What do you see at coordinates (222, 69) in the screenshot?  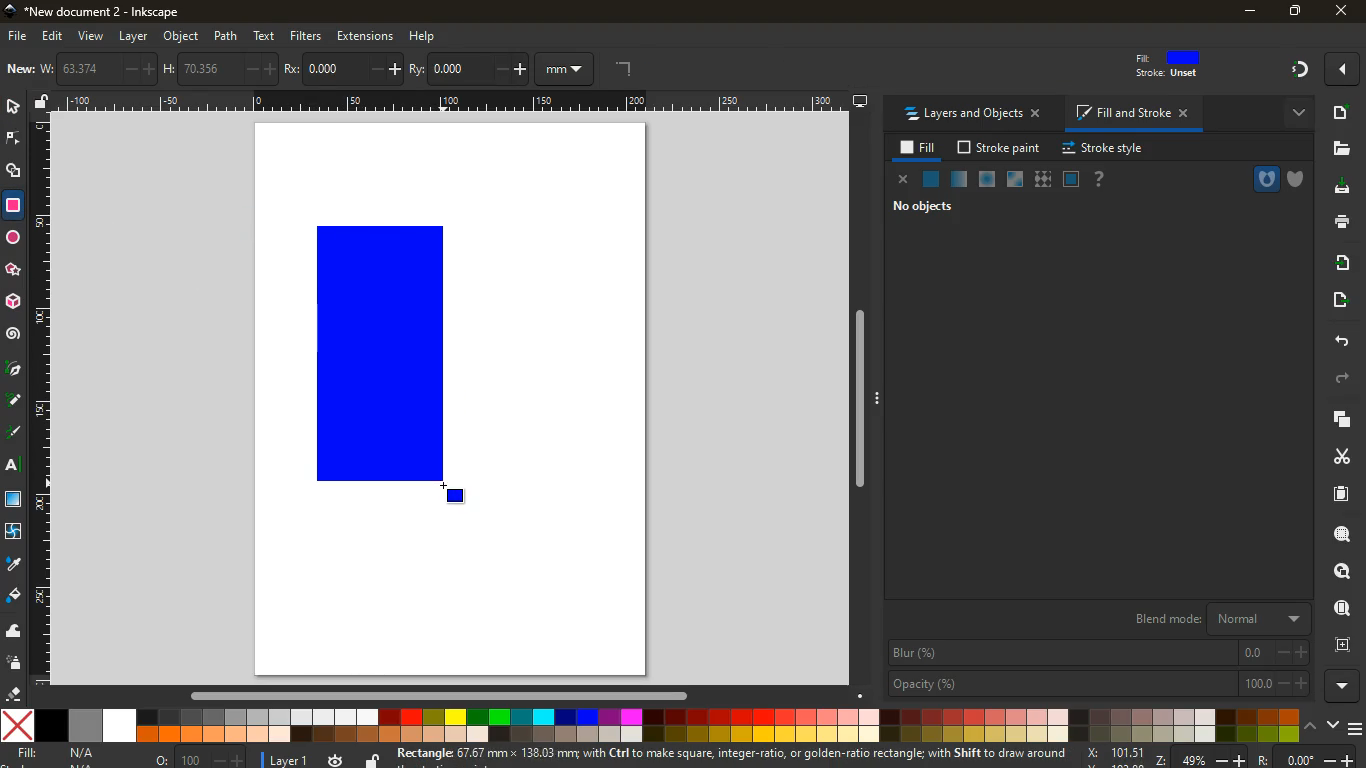 I see `h` at bounding box center [222, 69].